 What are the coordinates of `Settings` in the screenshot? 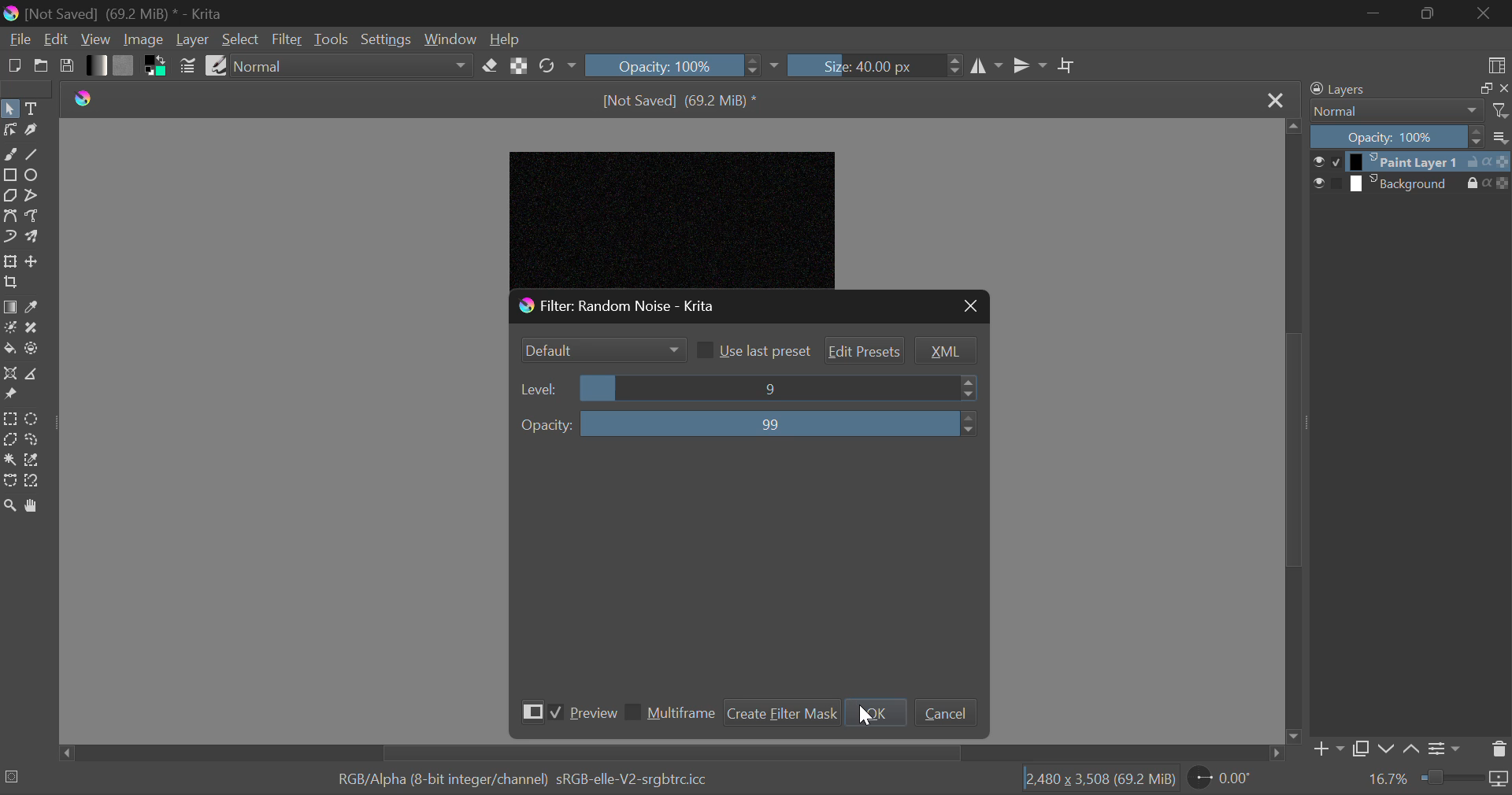 It's located at (1443, 748).